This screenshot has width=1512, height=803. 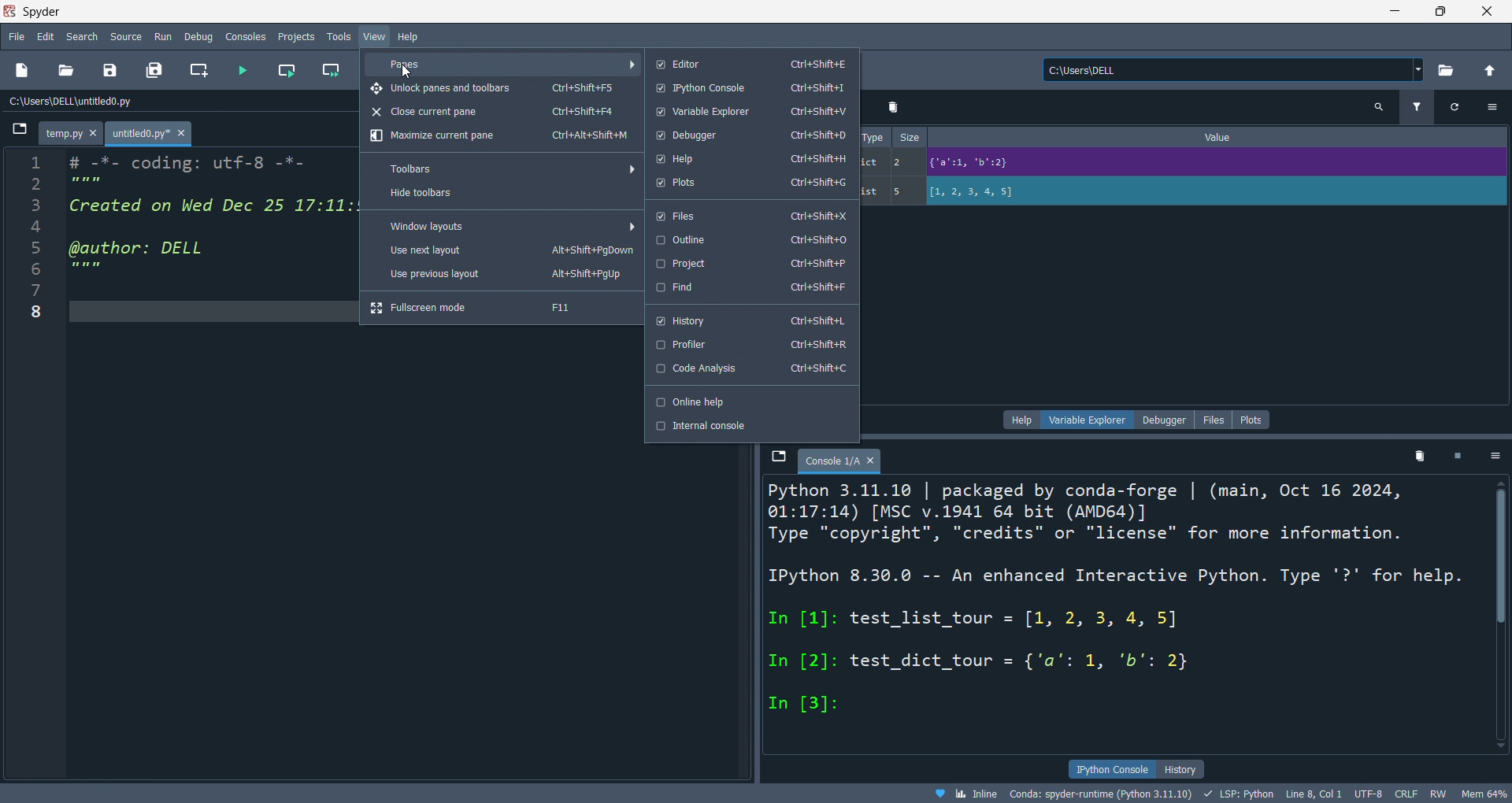 What do you see at coordinates (496, 113) in the screenshot?
I see `close current pane` at bounding box center [496, 113].